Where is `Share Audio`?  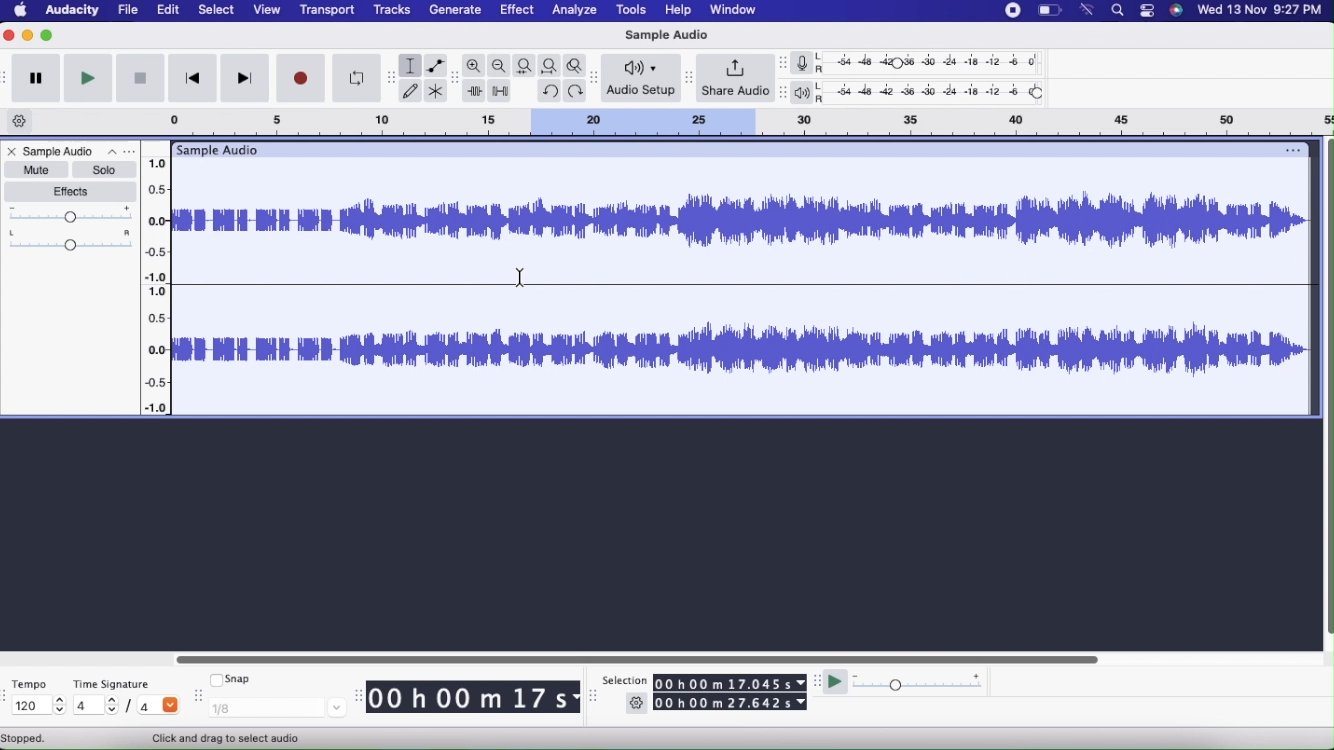 Share Audio is located at coordinates (735, 79).